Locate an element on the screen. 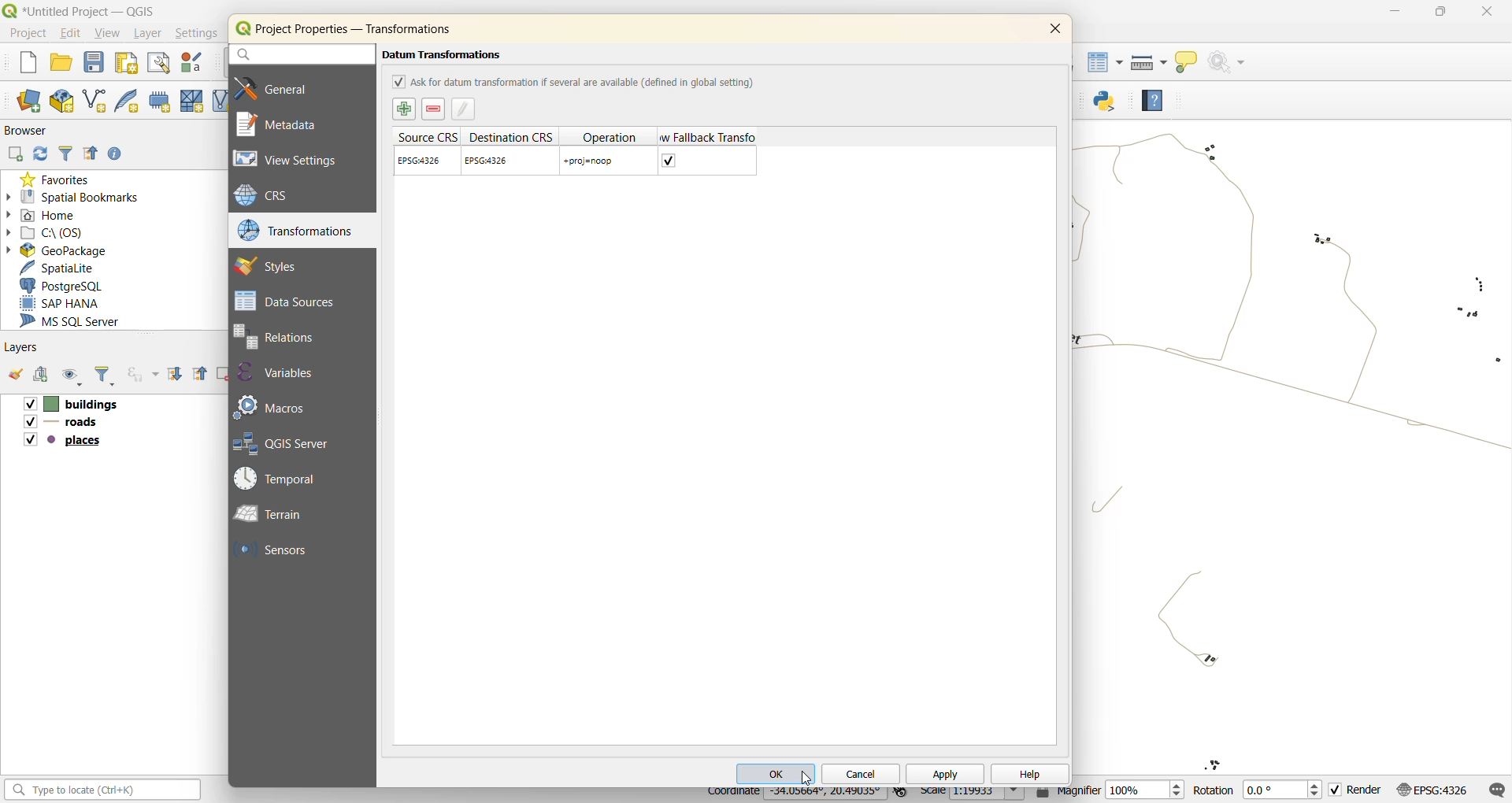  styles is located at coordinates (277, 265).